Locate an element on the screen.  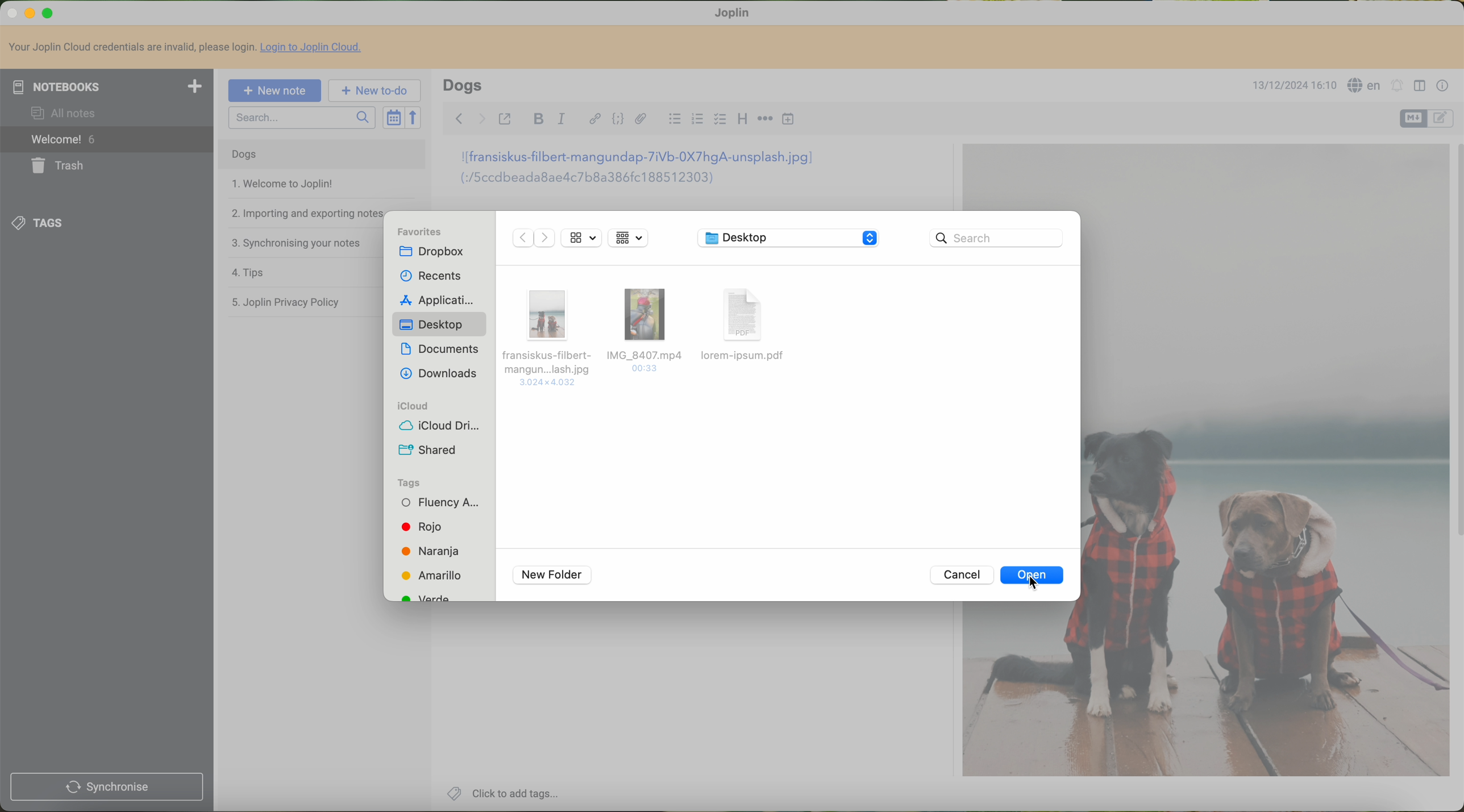
dogs image is located at coordinates (1021, 692).